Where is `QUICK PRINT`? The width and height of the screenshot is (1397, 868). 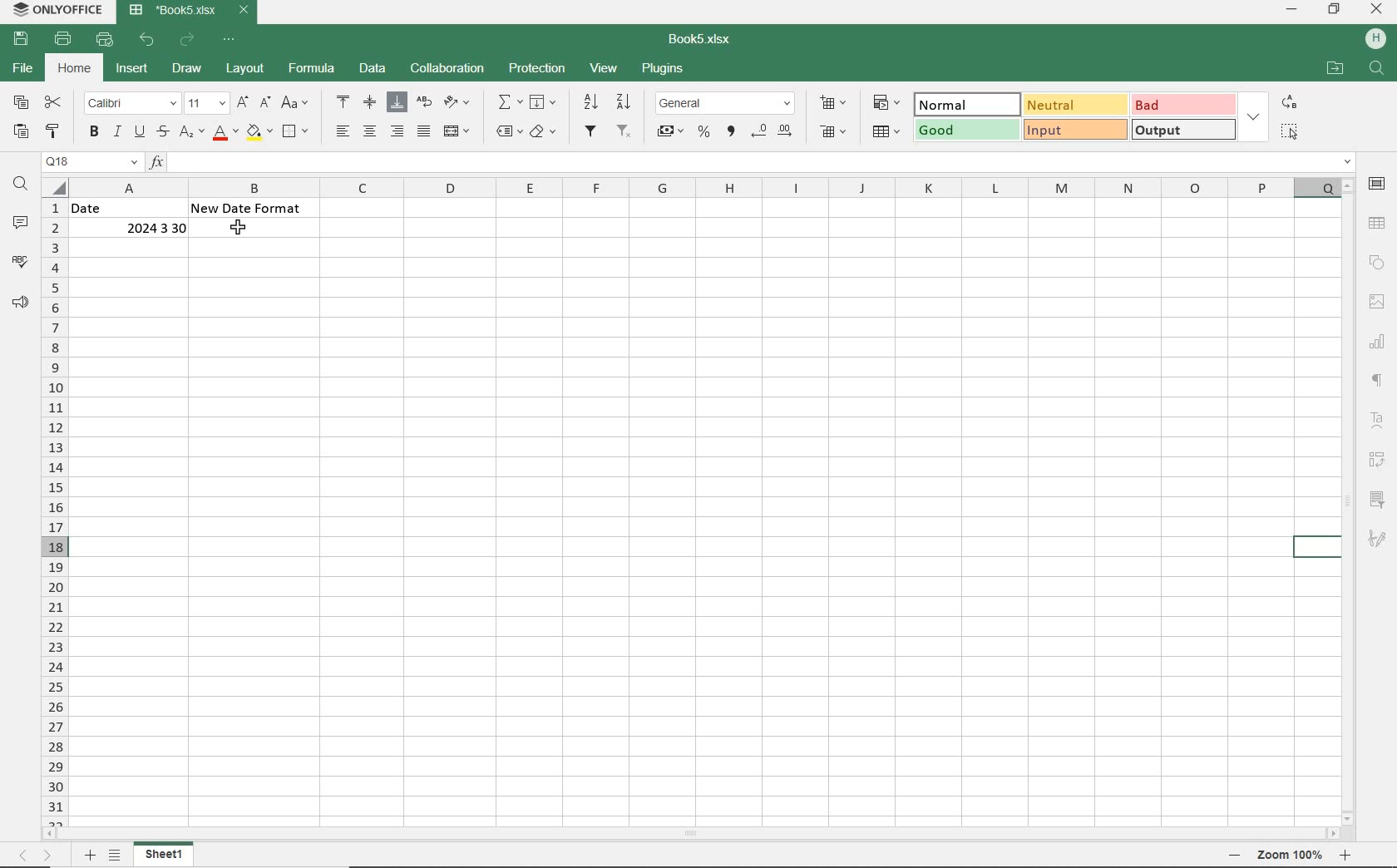
QUICK PRINT is located at coordinates (106, 39).